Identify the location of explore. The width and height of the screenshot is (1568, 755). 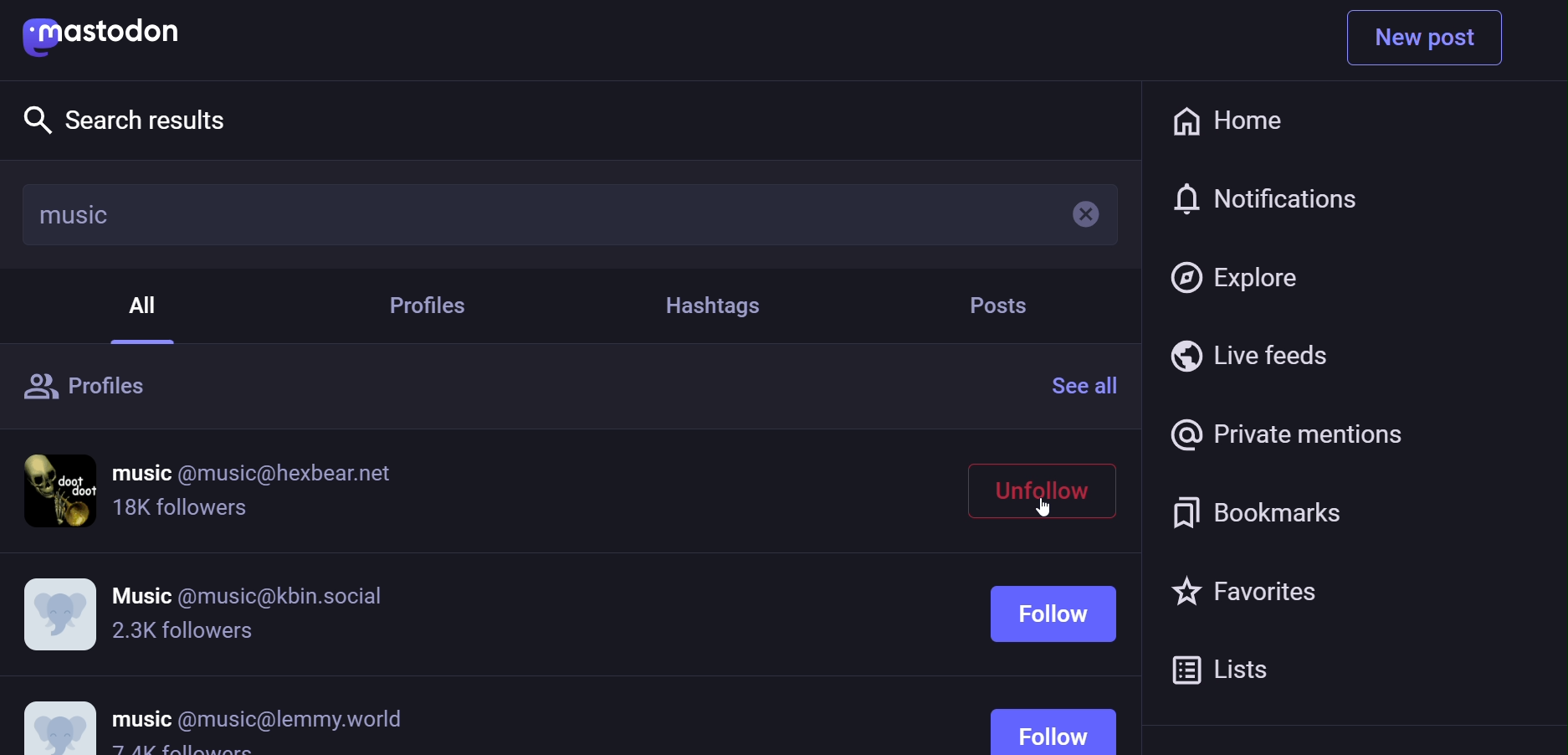
(1237, 275).